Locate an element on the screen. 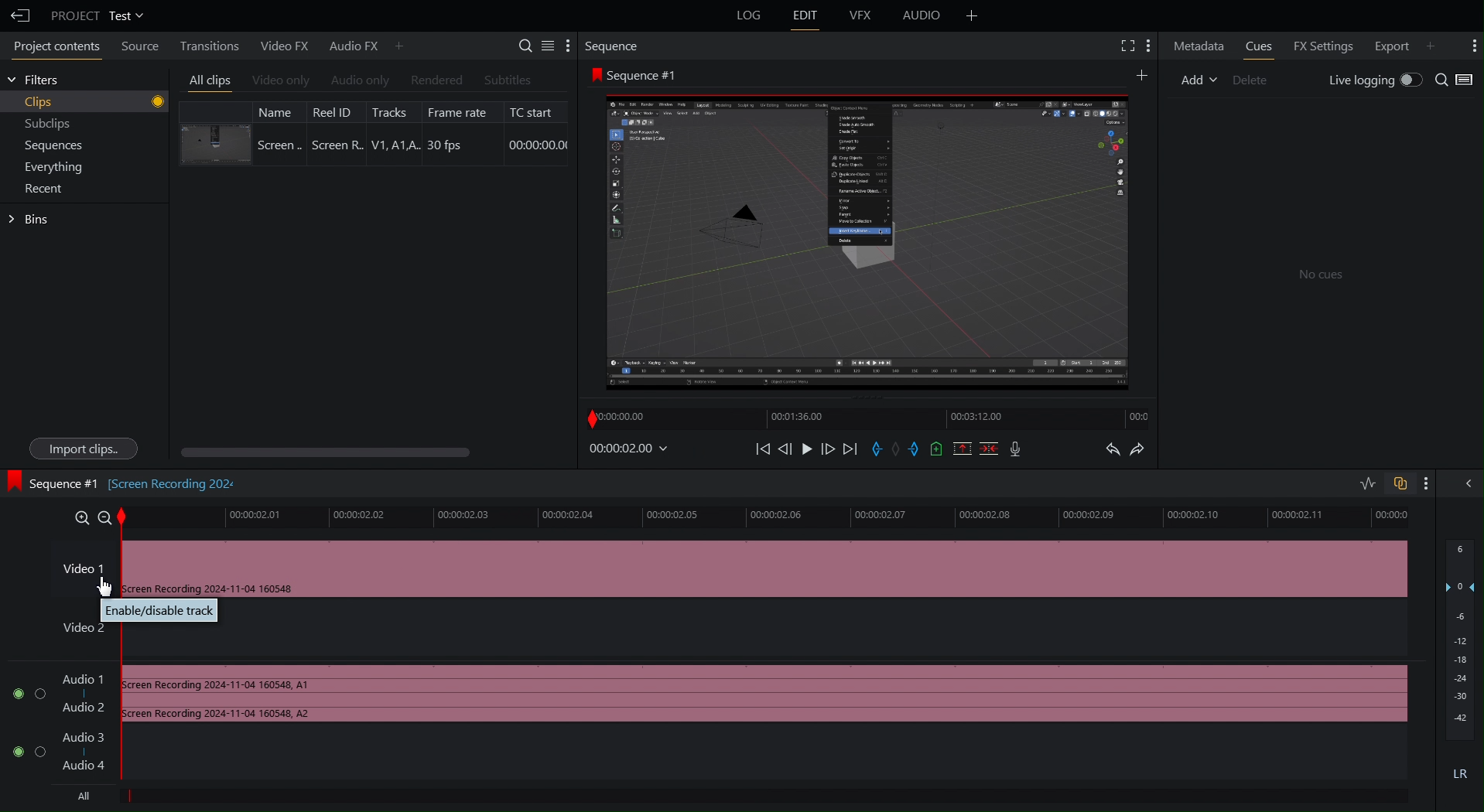 The width and height of the screenshot is (1484, 812). Sequence Controls is located at coordinates (888, 449).